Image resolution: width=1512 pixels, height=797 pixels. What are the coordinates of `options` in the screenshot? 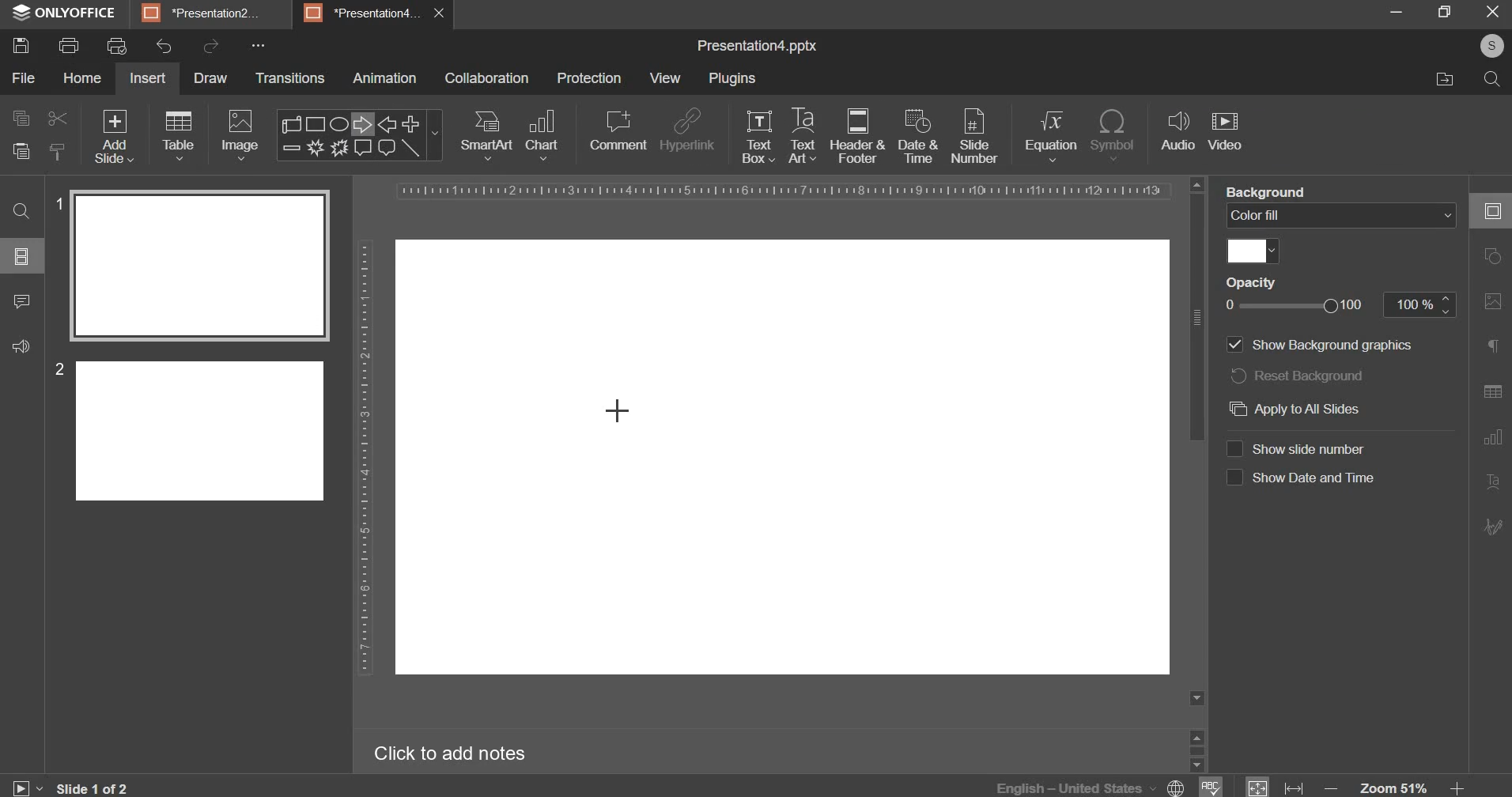 It's located at (14, 254).